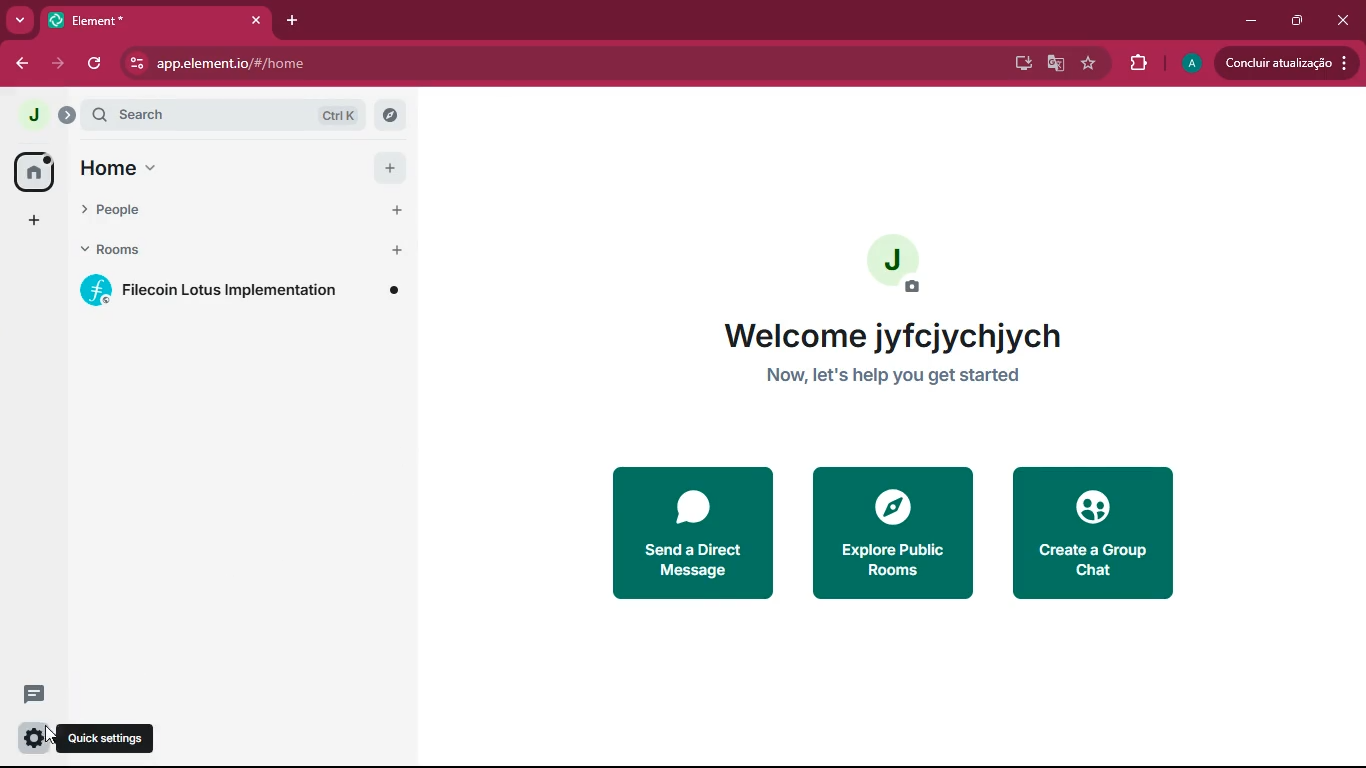 Image resolution: width=1366 pixels, height=768 pixels. Describe the element at coordinates (32, 221) in the screenshot. I see `add` at that location.